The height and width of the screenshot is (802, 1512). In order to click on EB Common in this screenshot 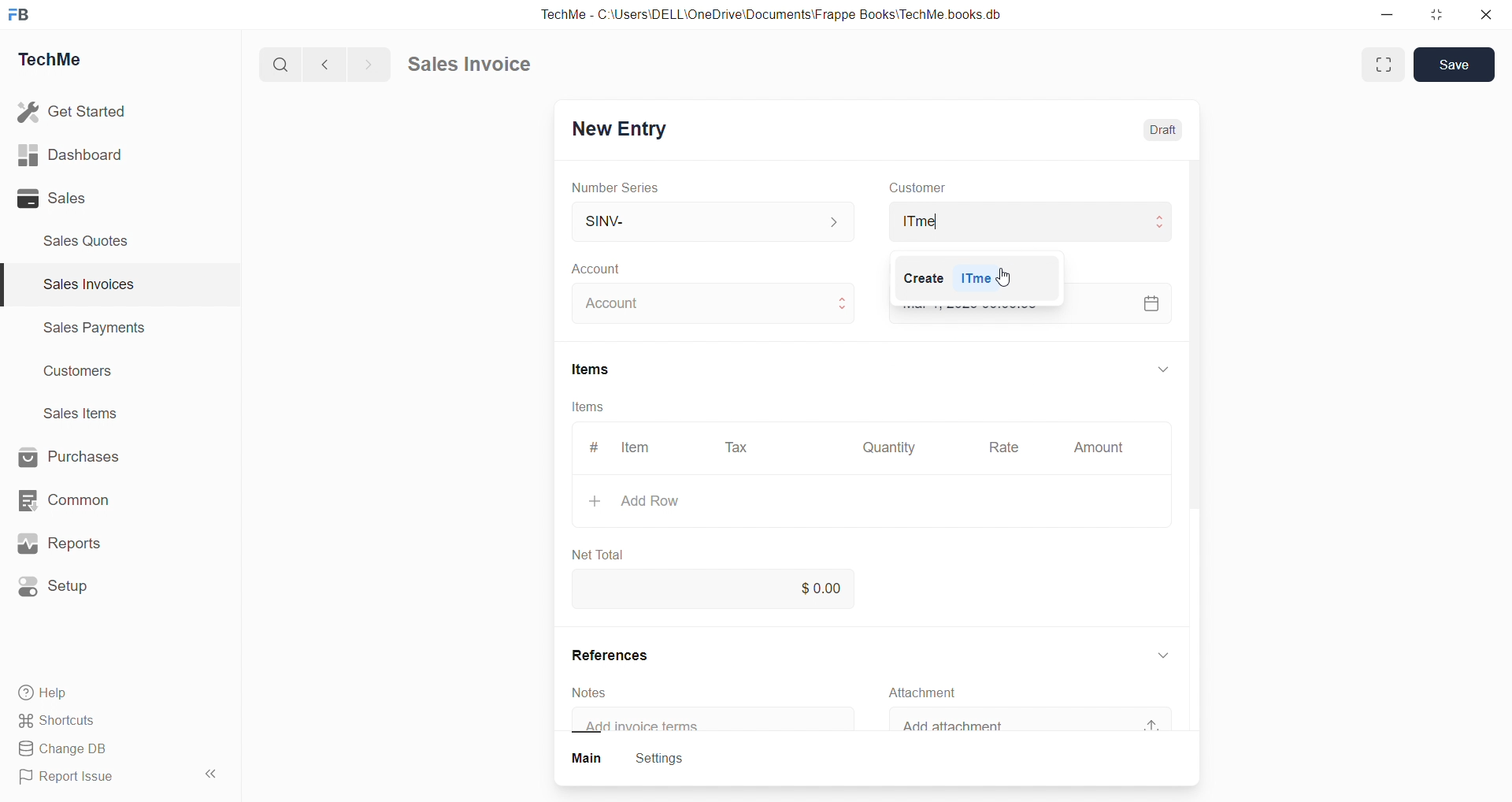, I will do `click(80, 499)`.